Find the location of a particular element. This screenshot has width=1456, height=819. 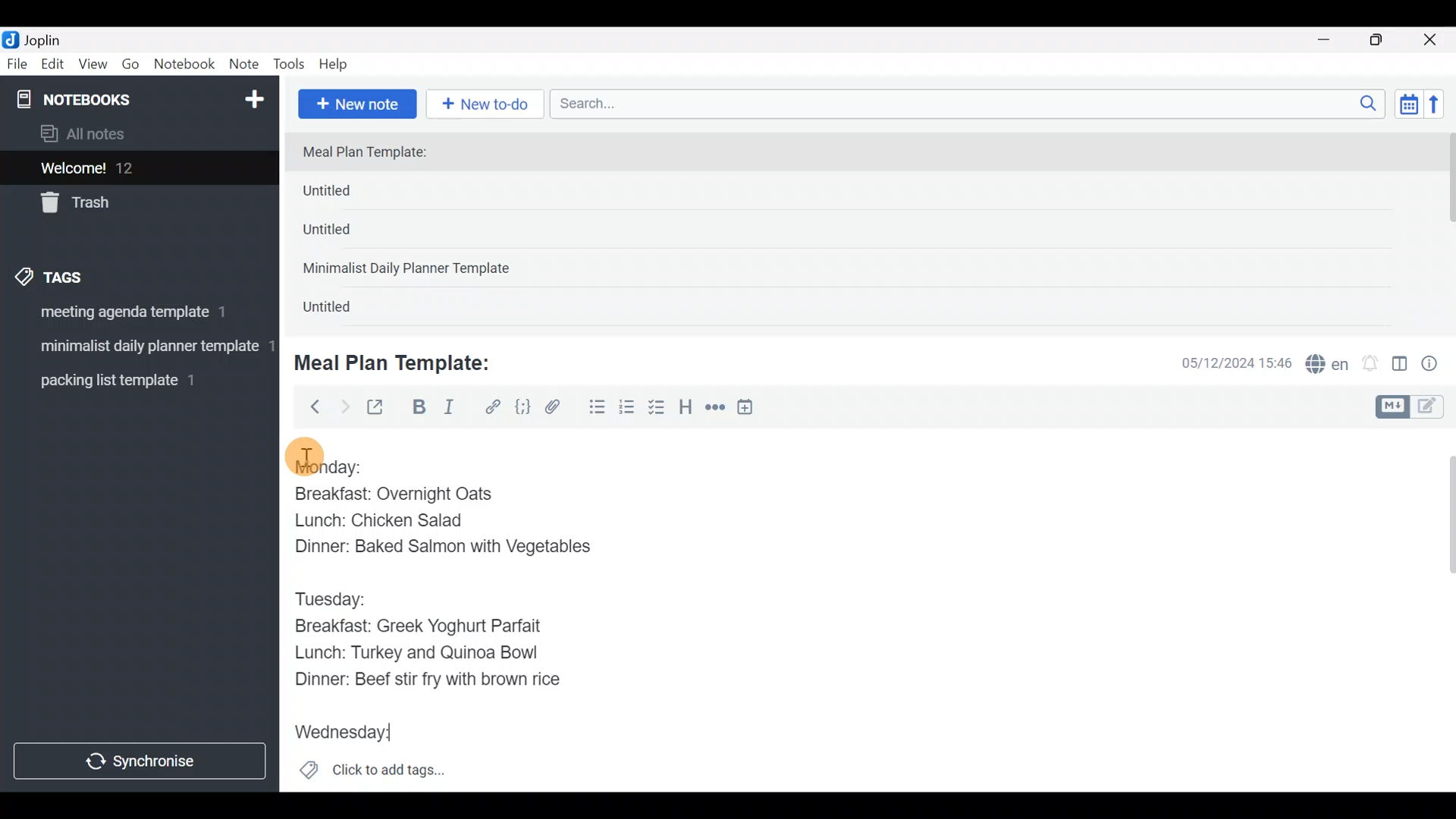

Minimize is located at coordinates (1332, 38).